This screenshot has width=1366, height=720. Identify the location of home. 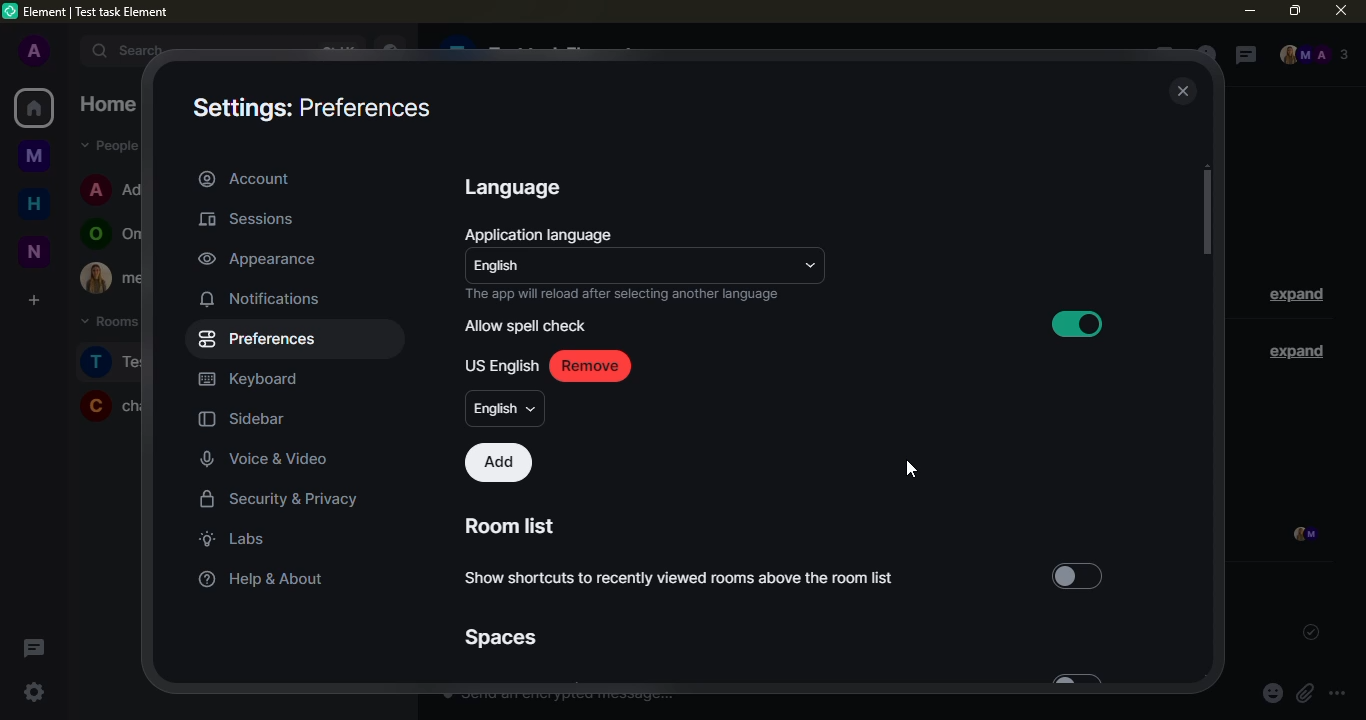
(34, 108).